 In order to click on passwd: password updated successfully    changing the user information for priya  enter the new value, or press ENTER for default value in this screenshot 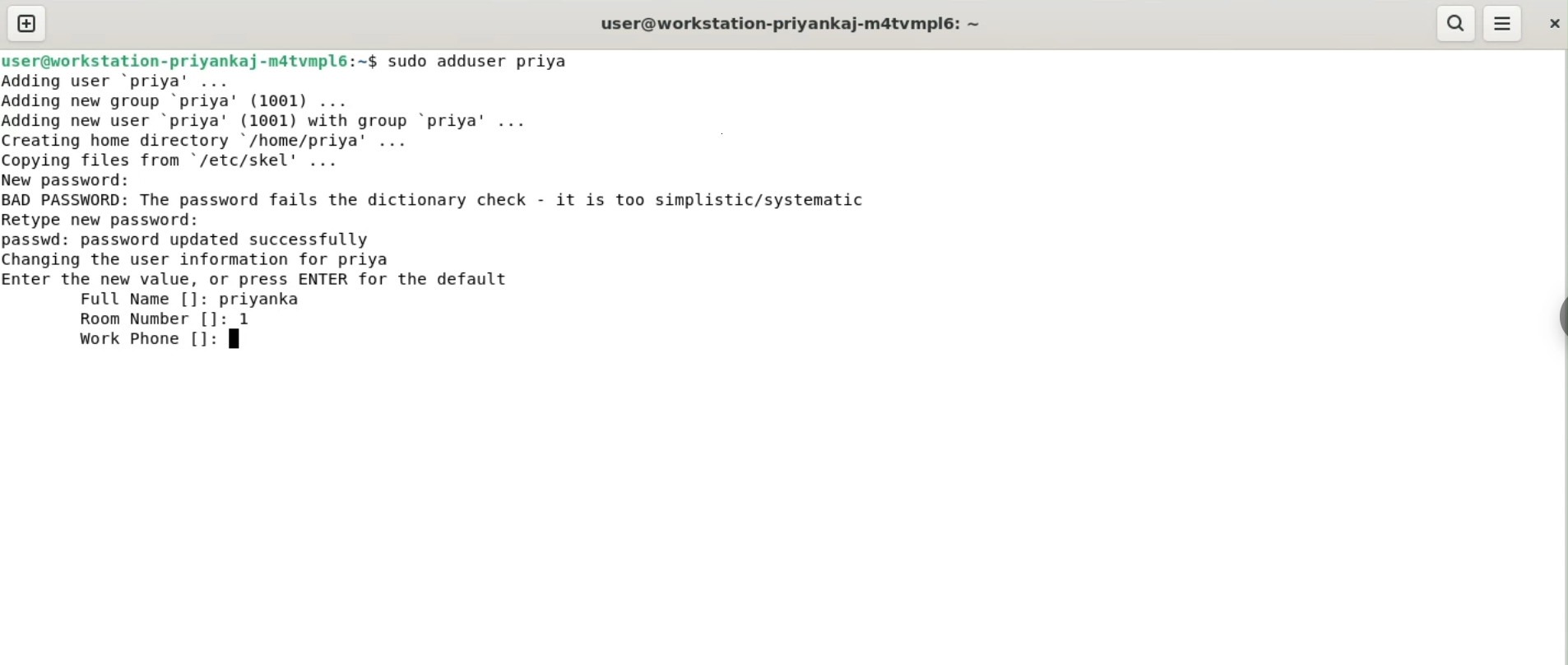, I will do `click(295, 257)`.